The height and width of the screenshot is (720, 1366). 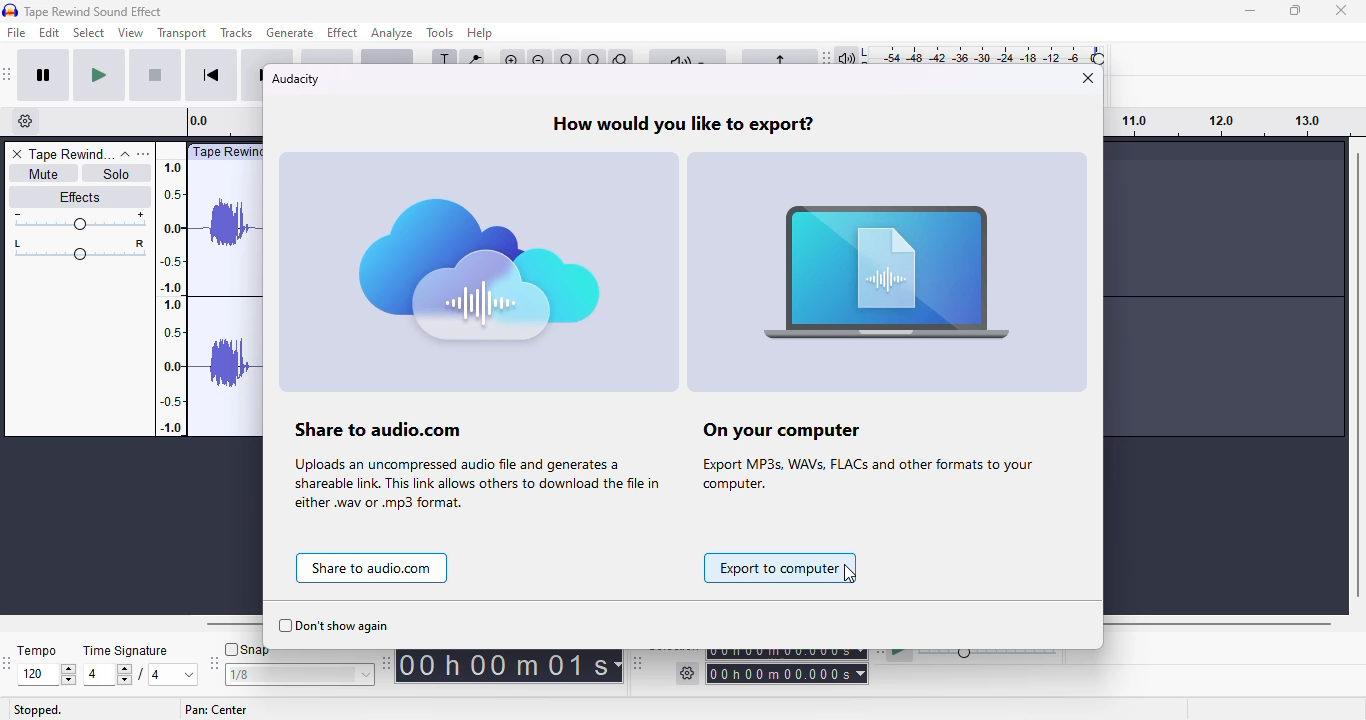 What do you see at coordinates (46, 666) in the screenshot?
I see `tempo` at bounding box center [46, 666].